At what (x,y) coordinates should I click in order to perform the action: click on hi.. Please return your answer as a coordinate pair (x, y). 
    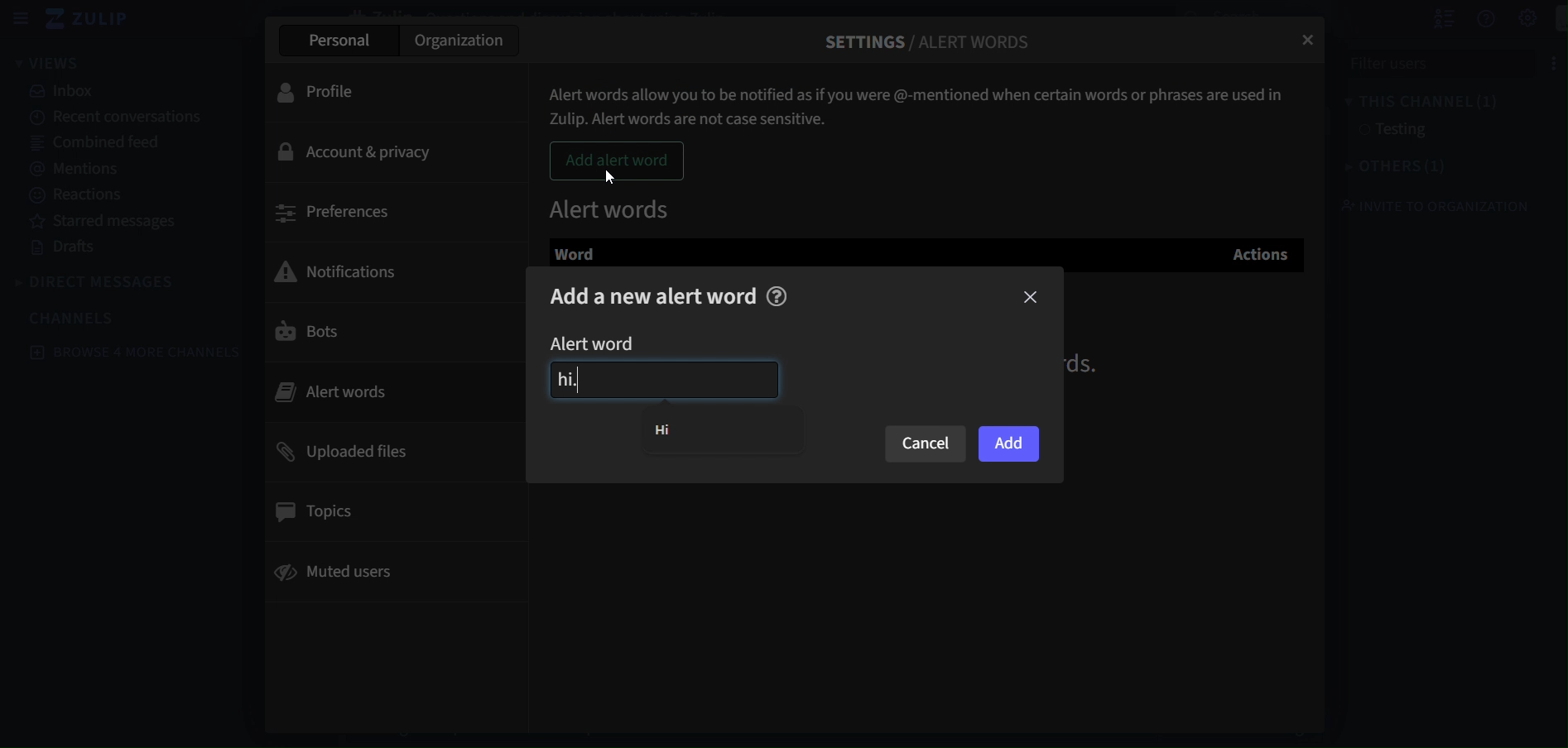
    Looking at the image, I should click on (662, 381).